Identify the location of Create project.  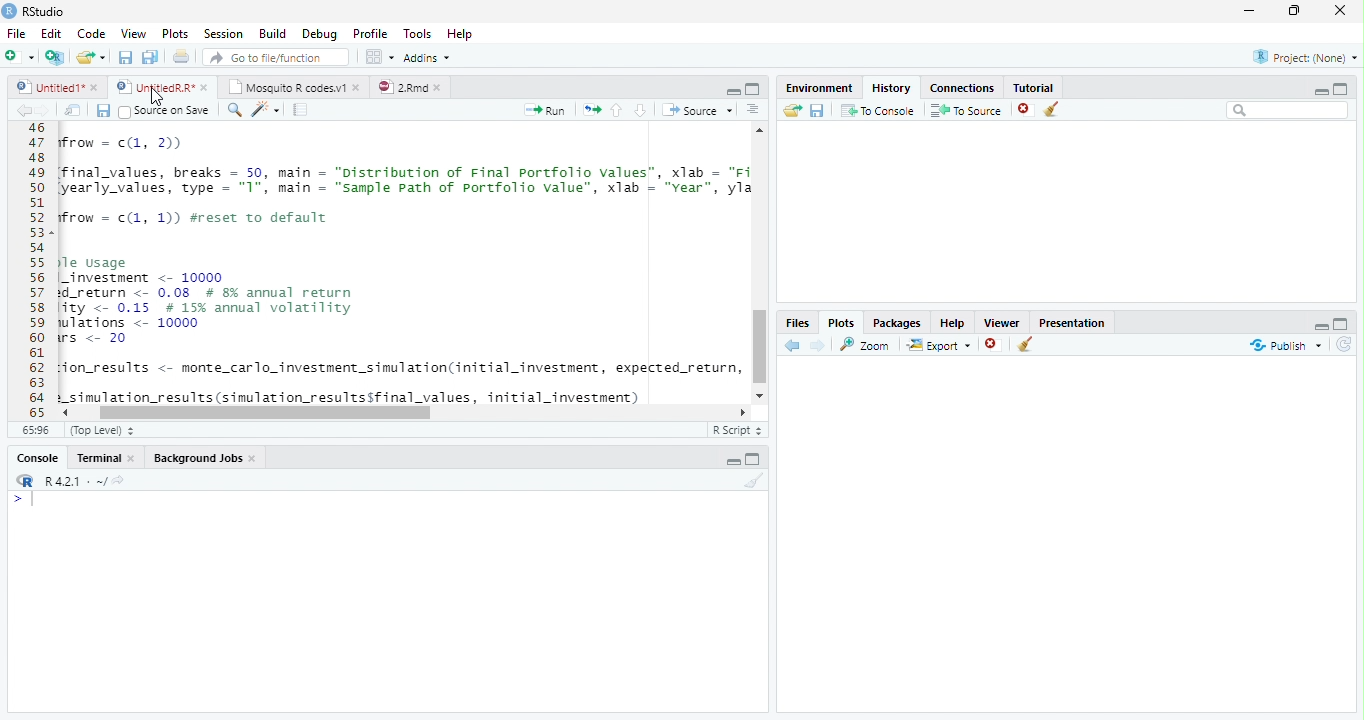
(54, 57).